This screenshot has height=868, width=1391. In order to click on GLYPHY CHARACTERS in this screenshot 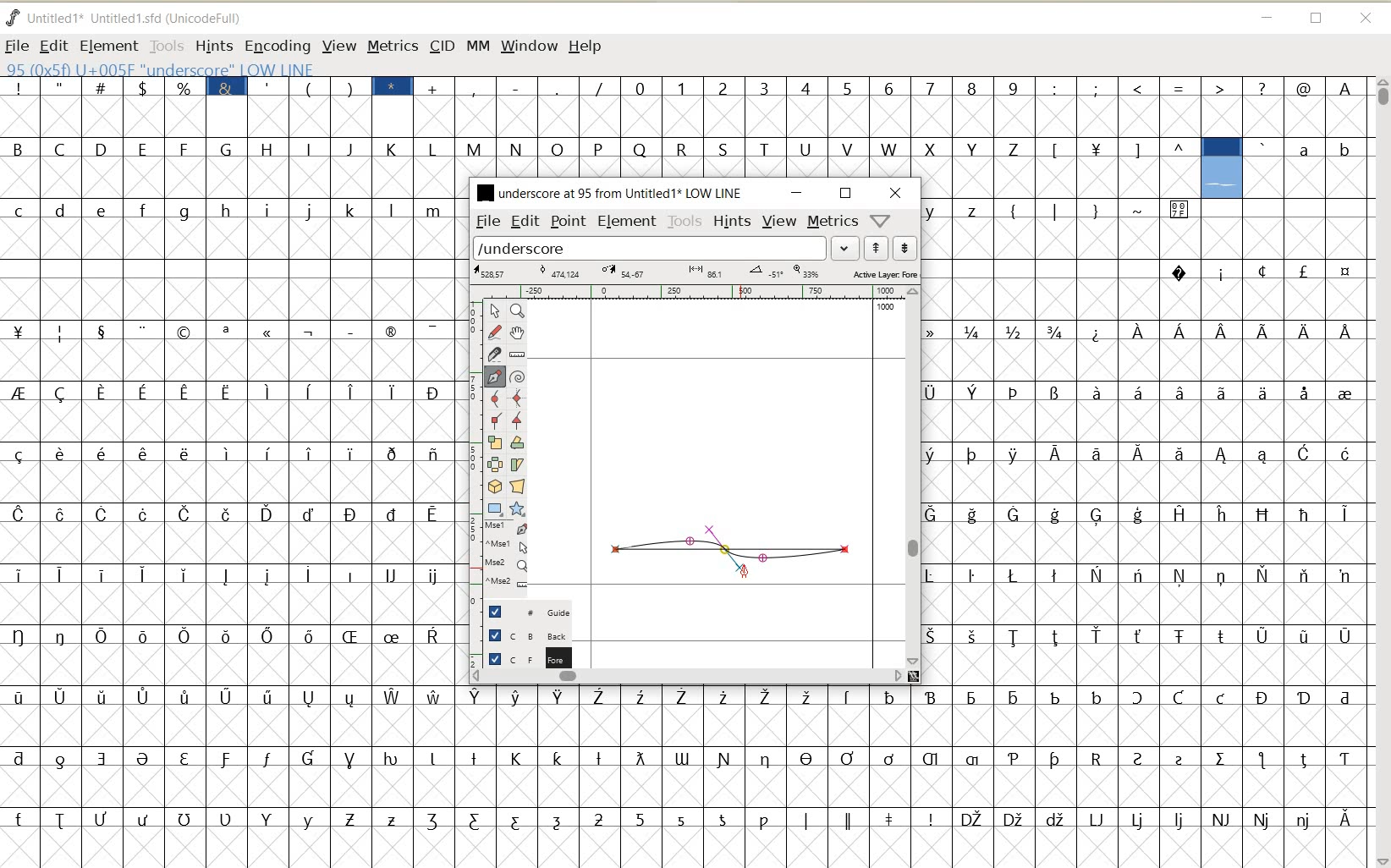, I will do `click(229, 461)`.